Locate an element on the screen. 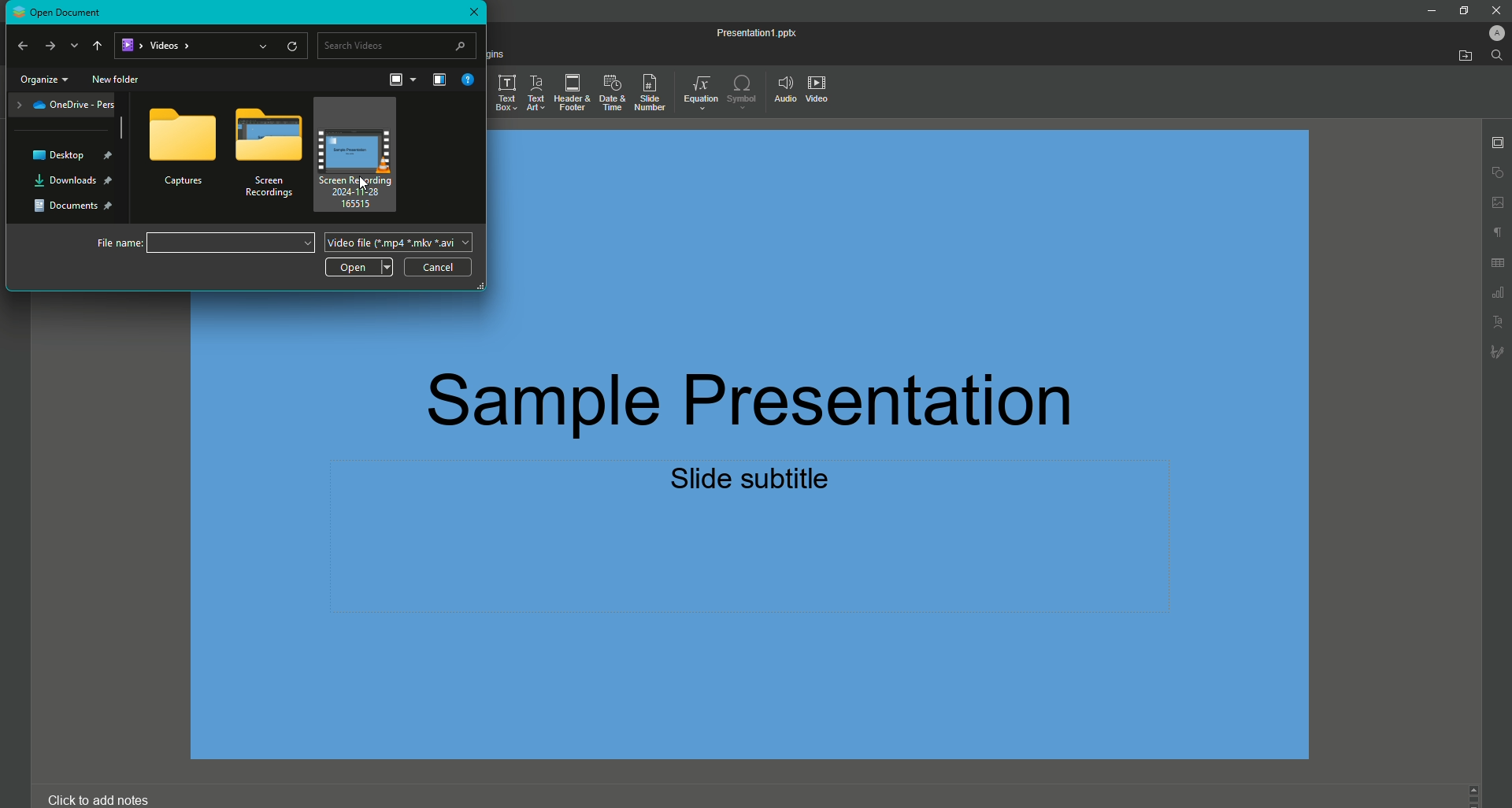  Screen Recording is located at coordinates (362, 155).